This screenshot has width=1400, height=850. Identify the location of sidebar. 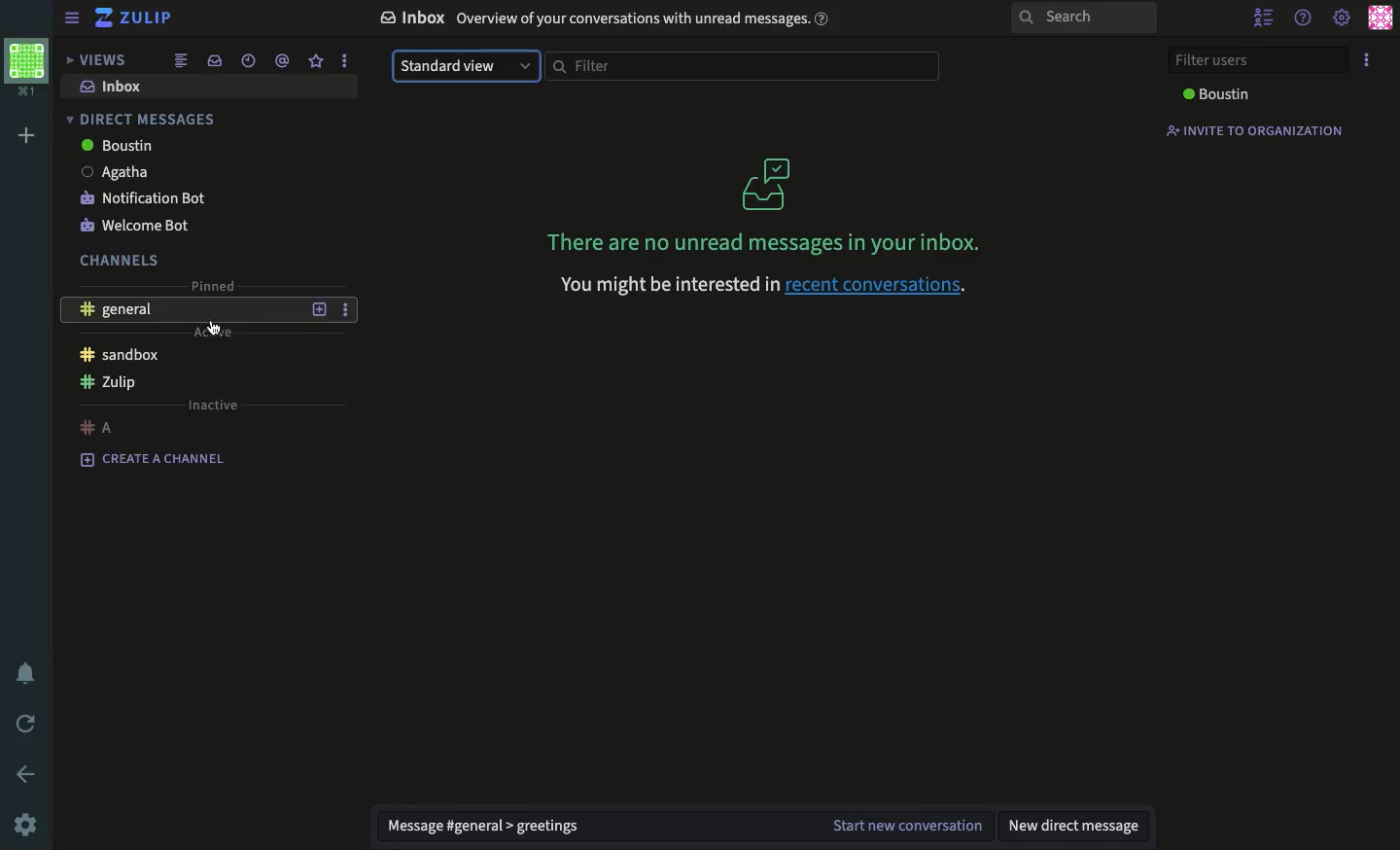
(72, 19).